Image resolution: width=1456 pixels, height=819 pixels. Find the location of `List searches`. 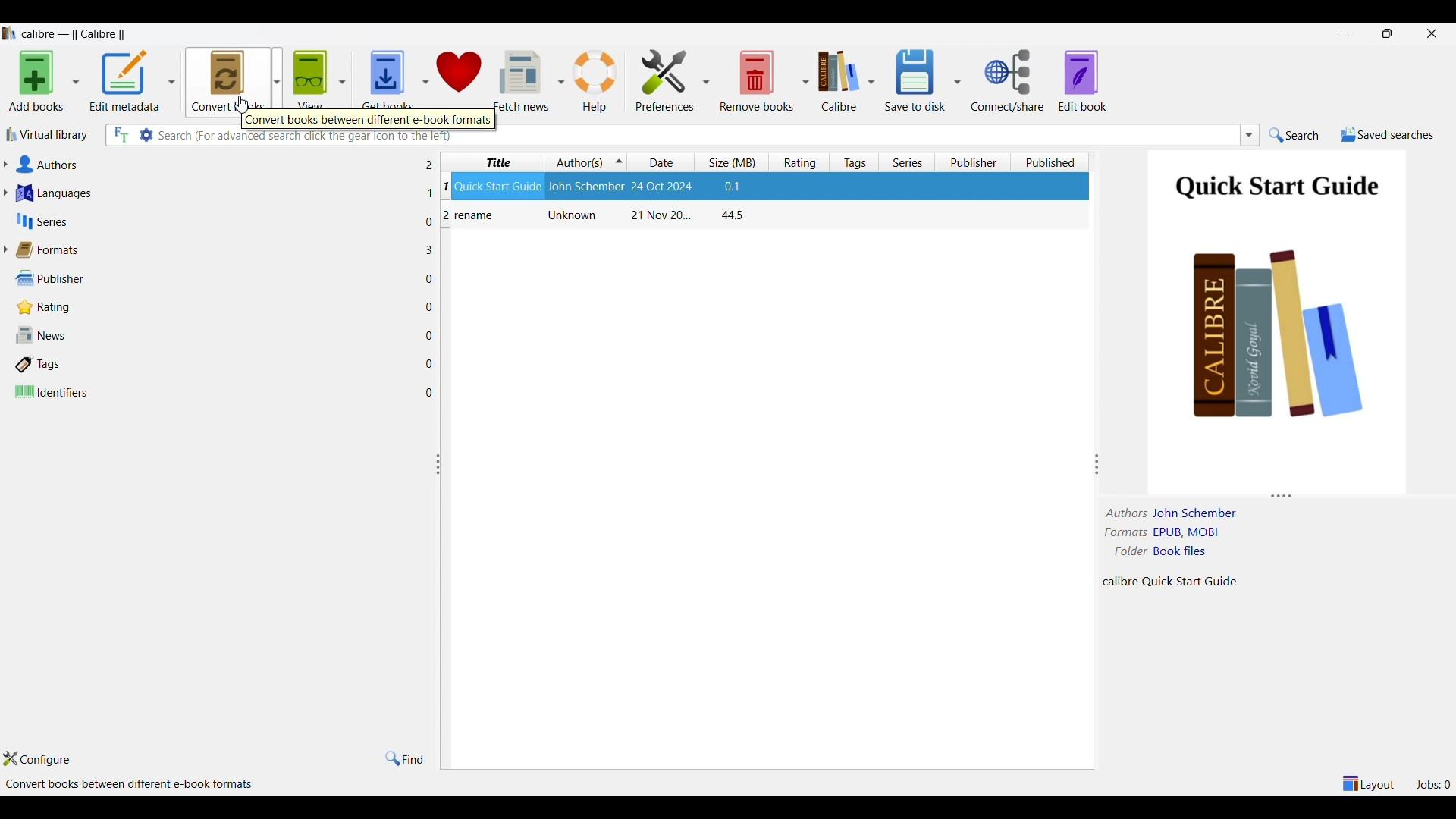

List searches is located at coordinates (1250, 135).